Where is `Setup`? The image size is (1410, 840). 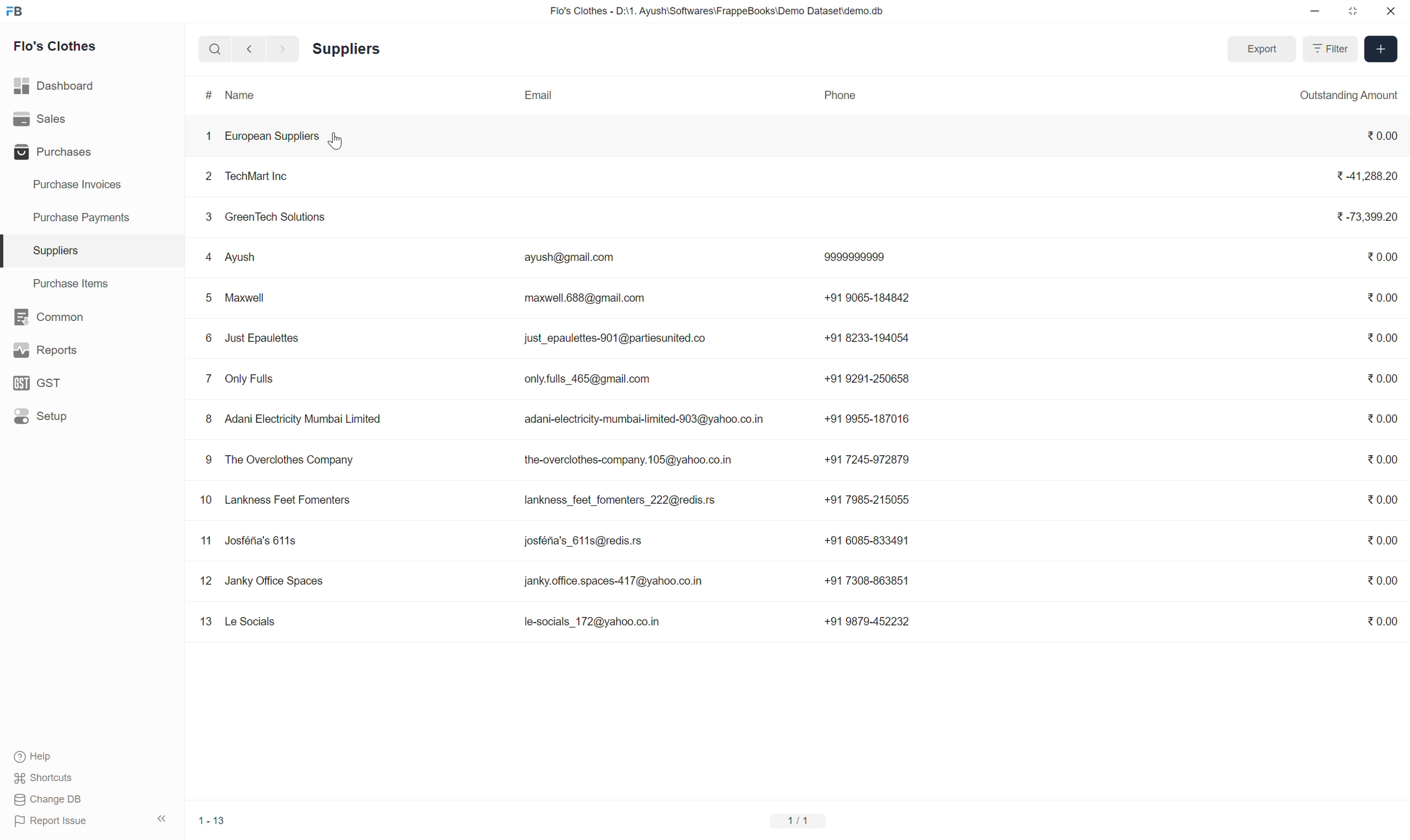
Setup is located at coordinates (45, 417).